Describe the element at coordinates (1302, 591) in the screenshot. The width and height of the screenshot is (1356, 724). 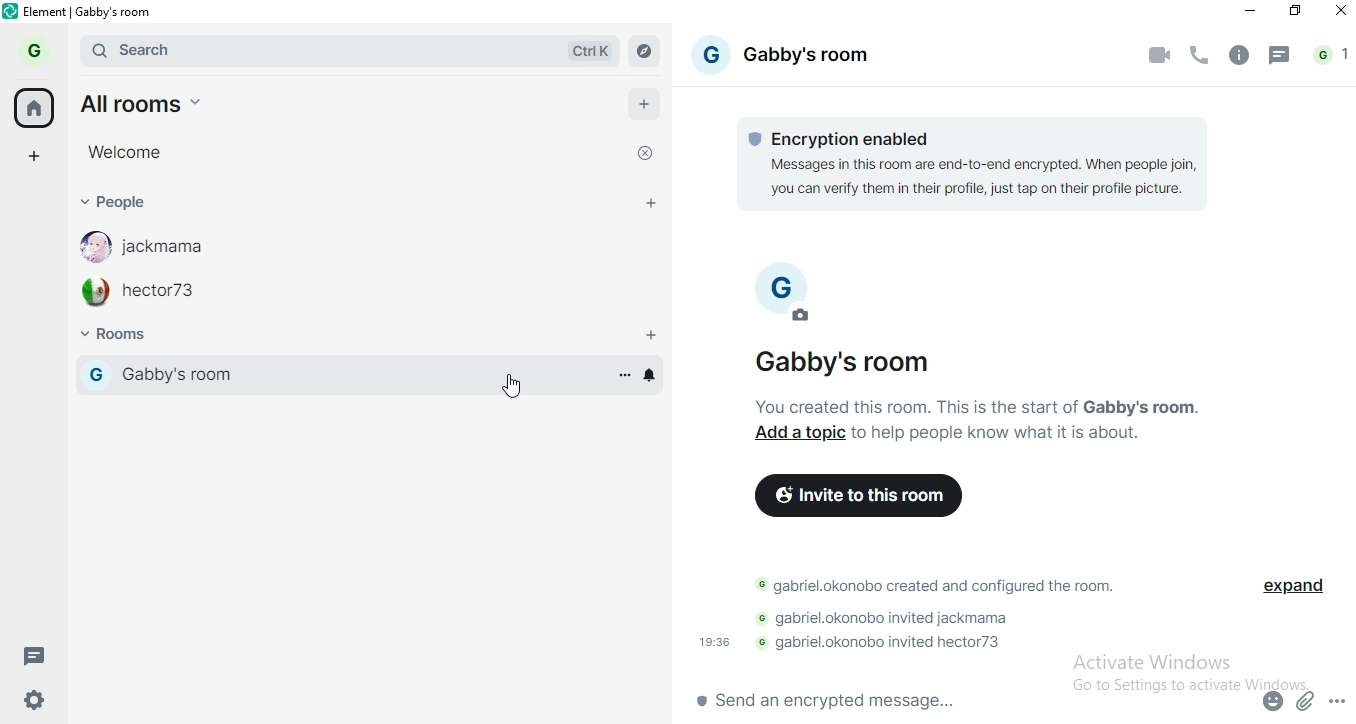
I see `expand` at that location.